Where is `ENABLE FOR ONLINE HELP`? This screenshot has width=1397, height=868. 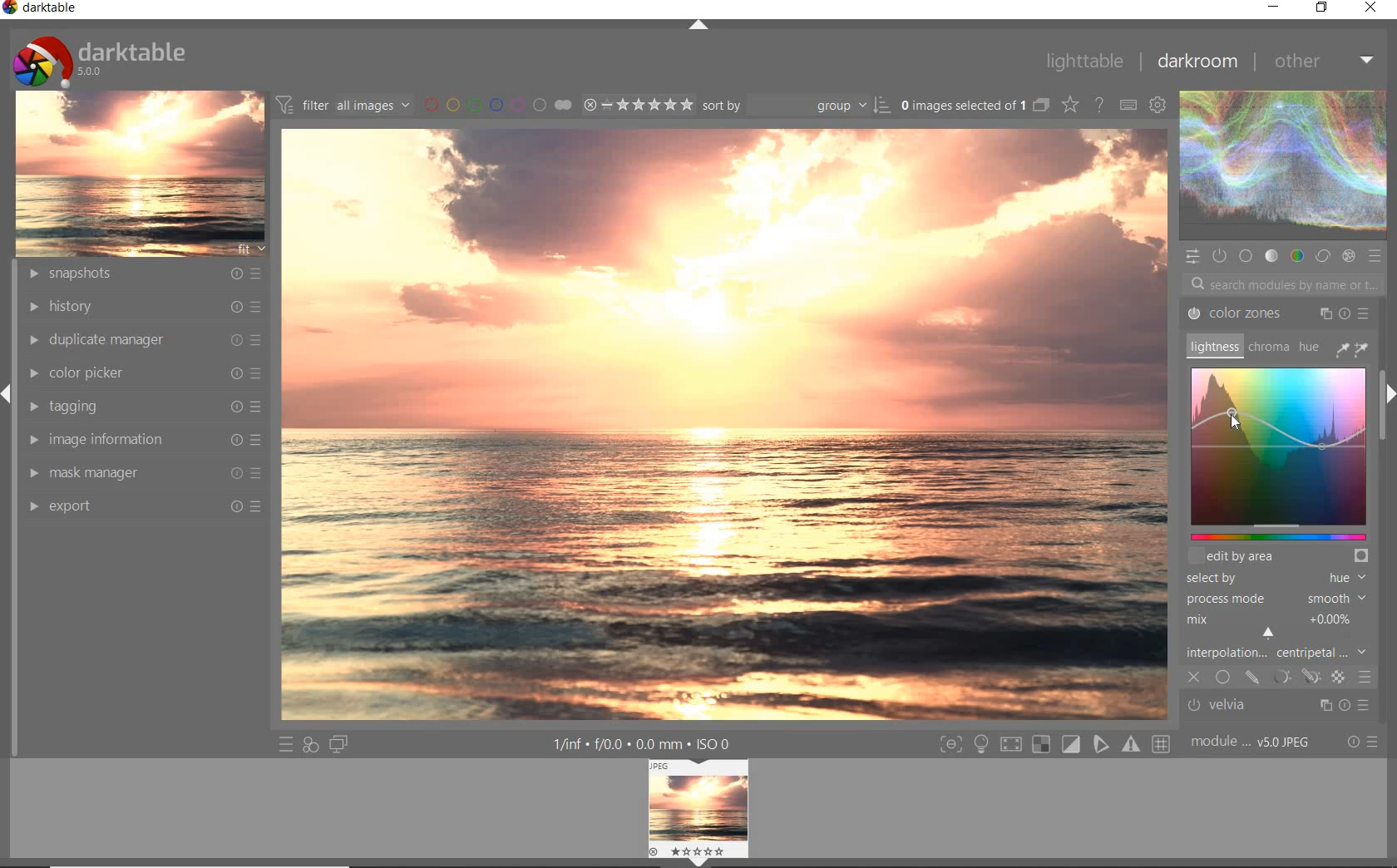
ENABLE FOR ONLINE HELP is located at coordinates (1102, 104).